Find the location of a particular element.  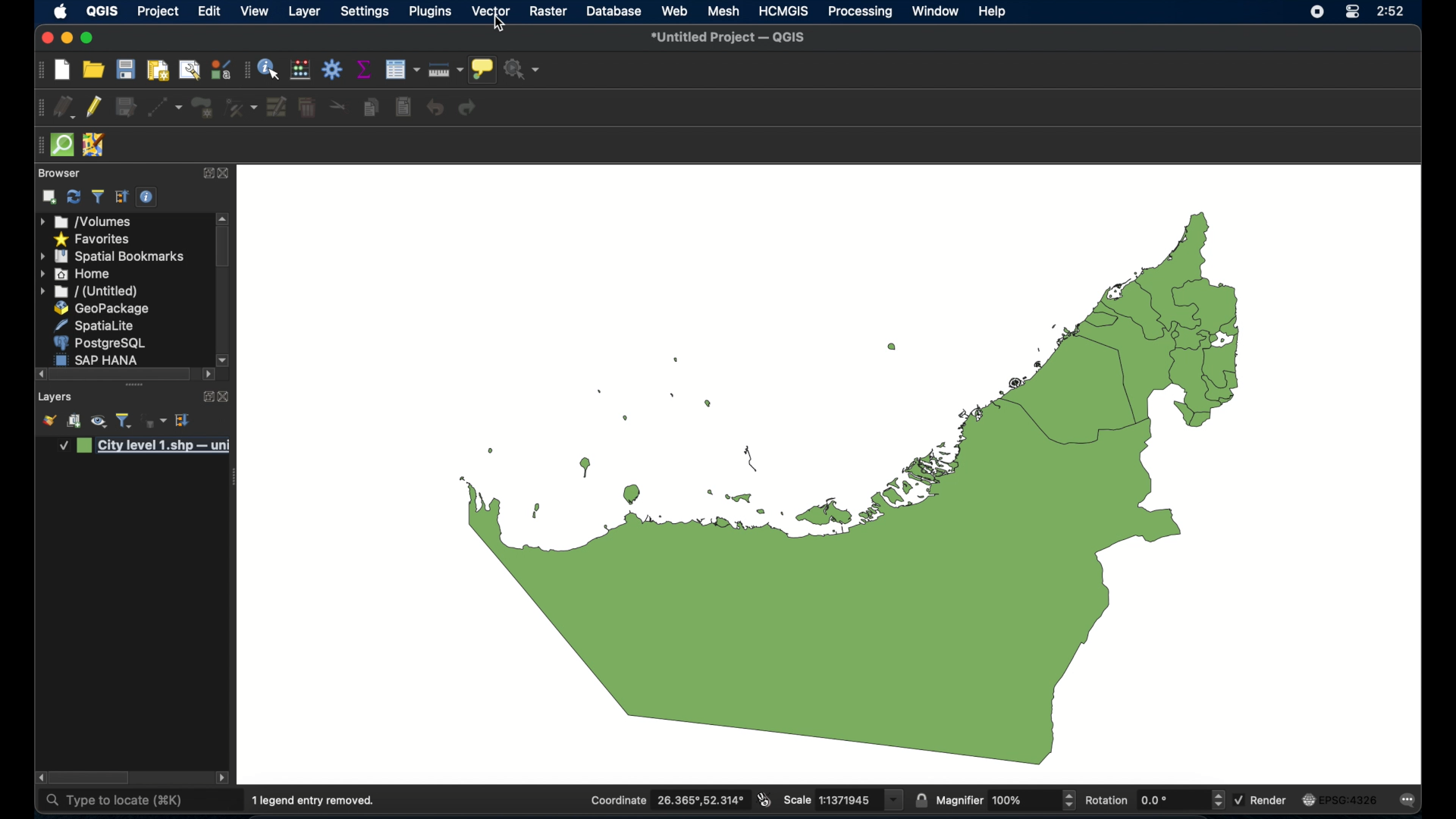

window is located at coordinates (935, 11).